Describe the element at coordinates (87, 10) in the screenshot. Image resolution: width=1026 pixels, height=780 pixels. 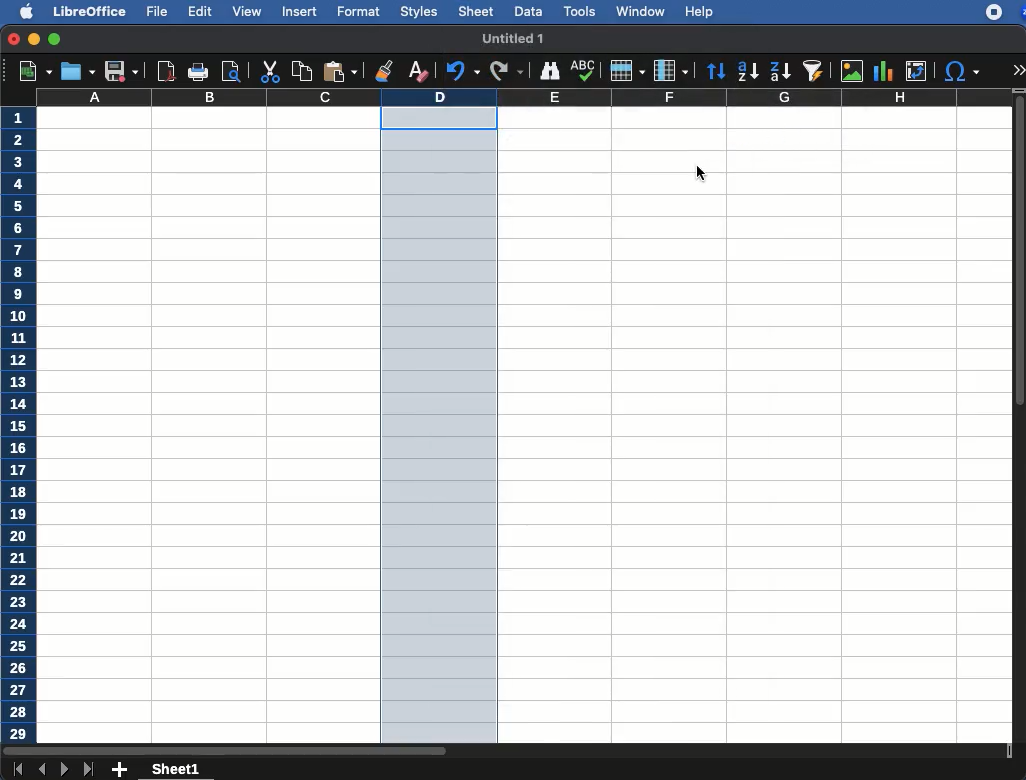
I see `libreoffice` at that location.